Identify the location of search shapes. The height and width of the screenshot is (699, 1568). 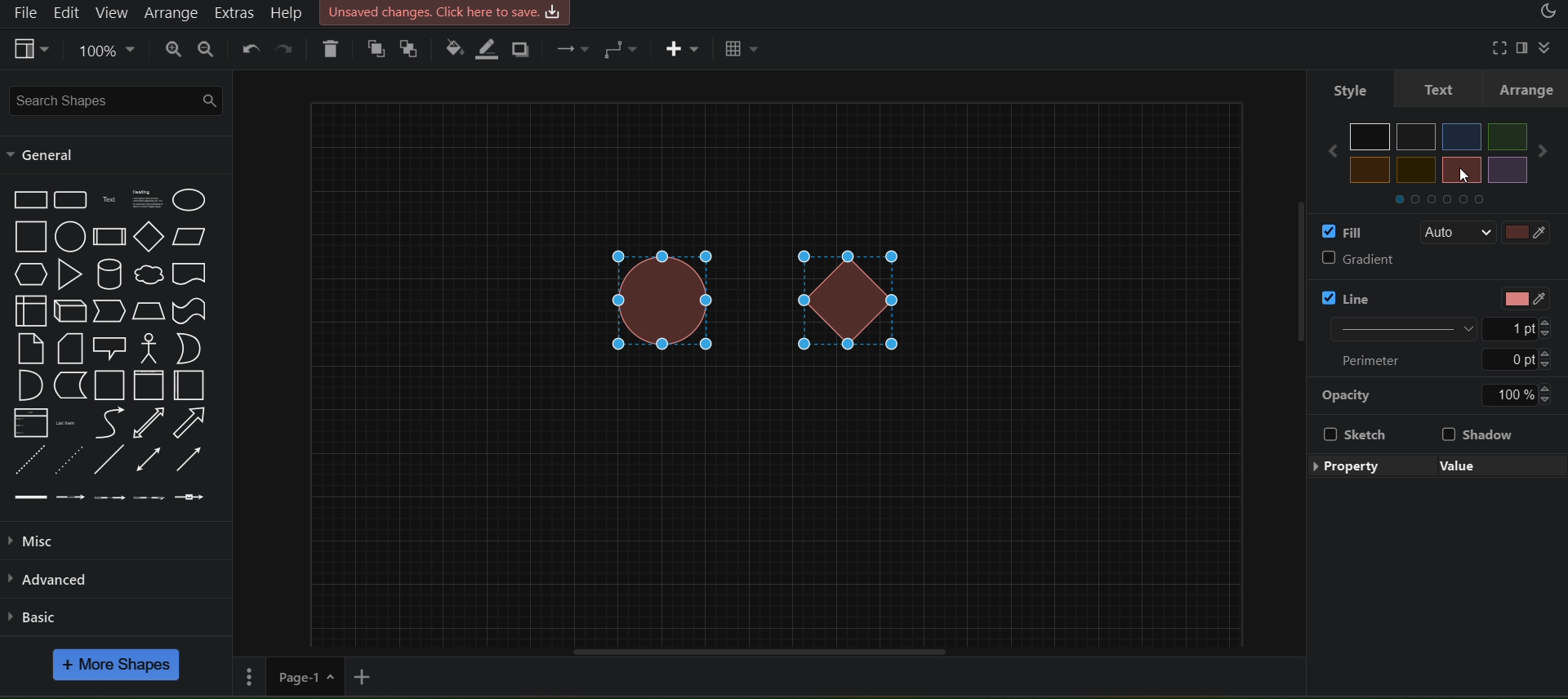
(113, 96).